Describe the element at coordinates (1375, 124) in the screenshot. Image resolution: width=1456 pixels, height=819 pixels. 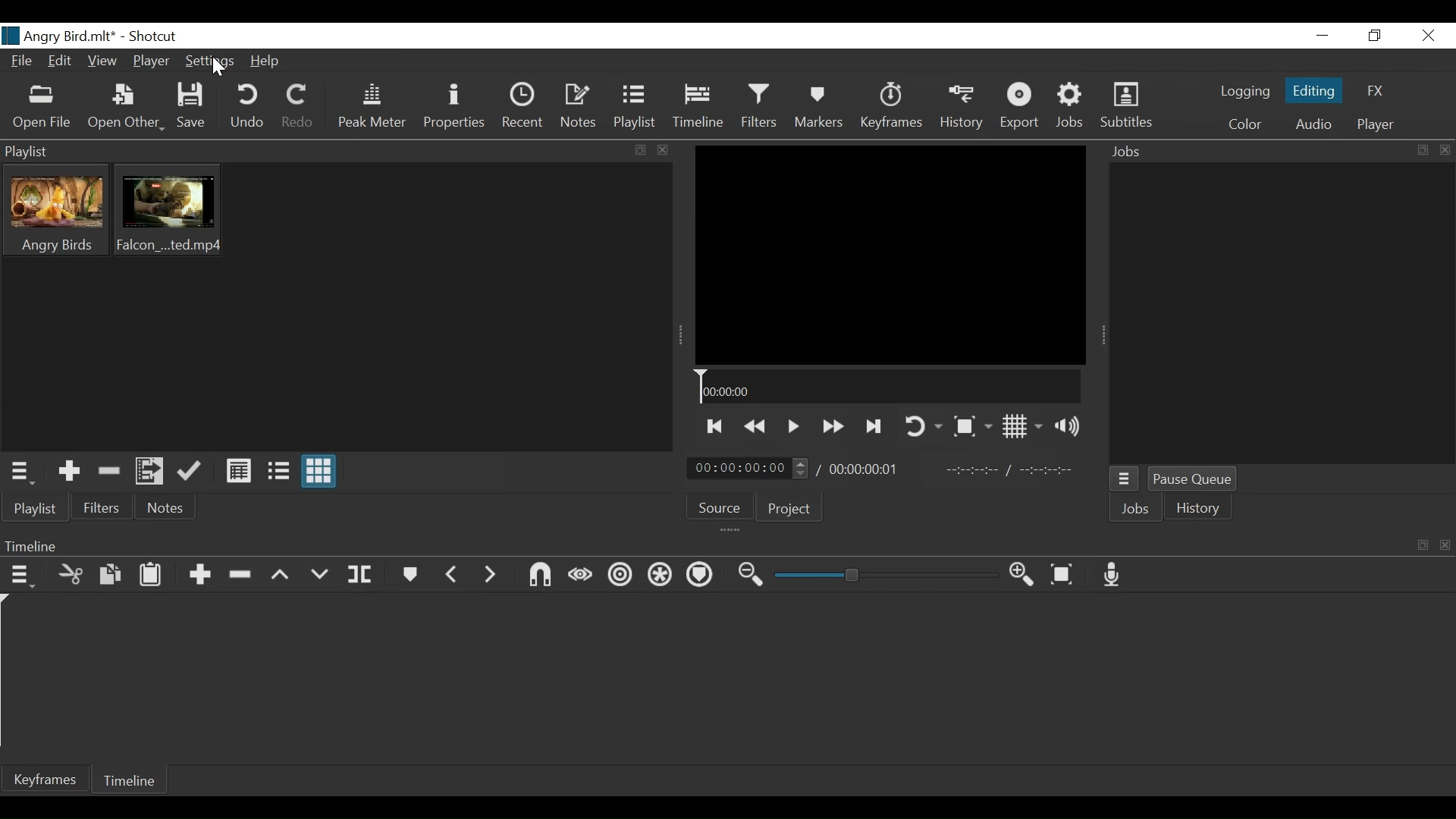
I see `Player` at that location.